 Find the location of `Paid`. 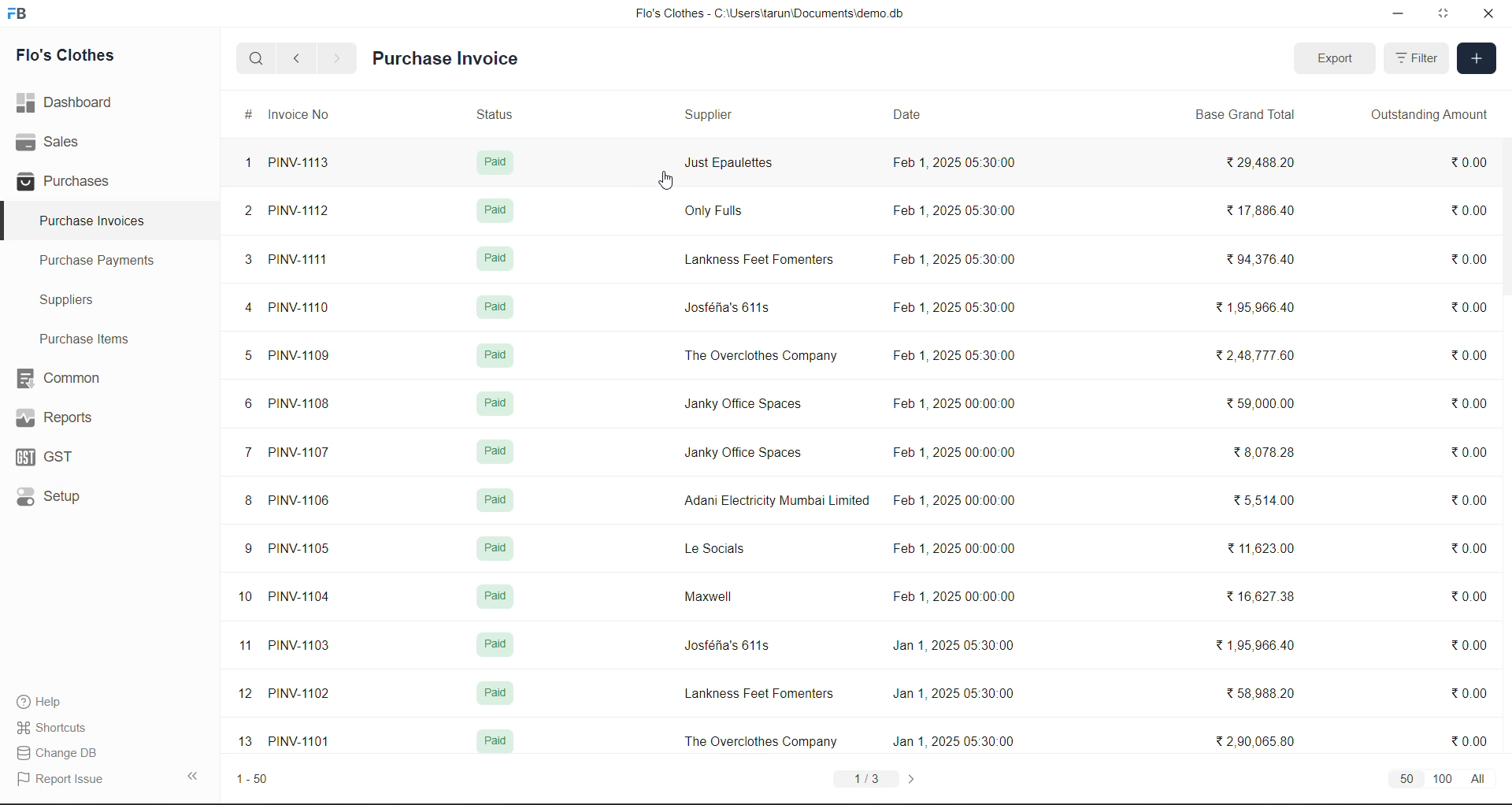

Paid is located at coordinates (495, 455).